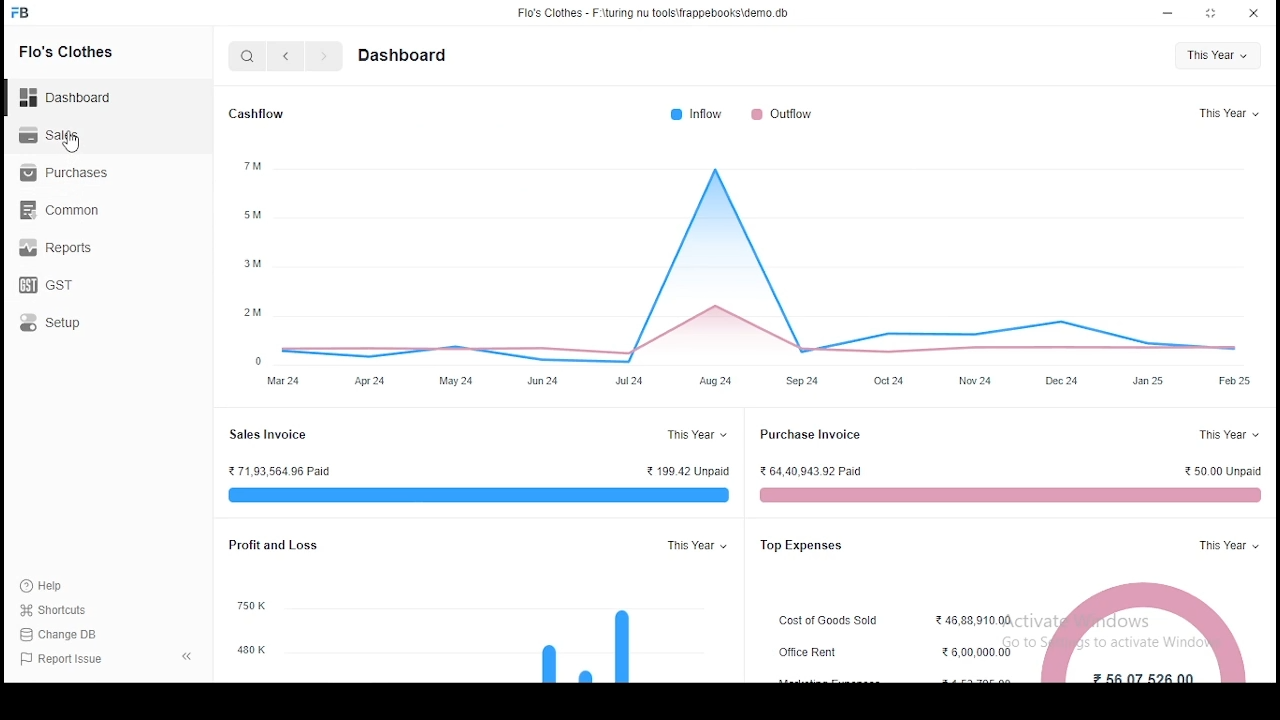  Describe the element at coordinates (1214, 13) in the screenshot. I see `restore` at that location.